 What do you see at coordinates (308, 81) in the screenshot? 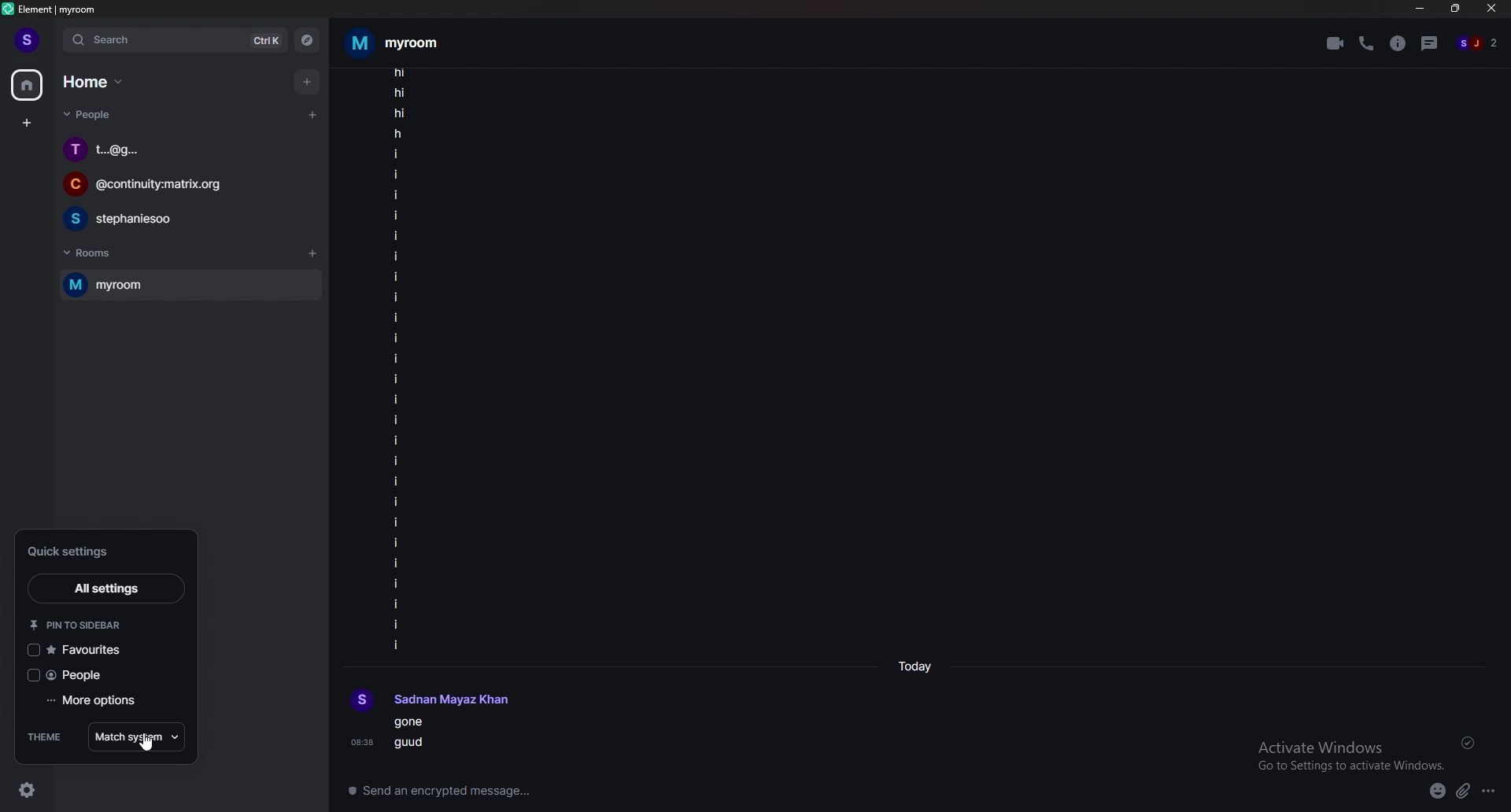
I see `add` at bounding box center [308, 81].